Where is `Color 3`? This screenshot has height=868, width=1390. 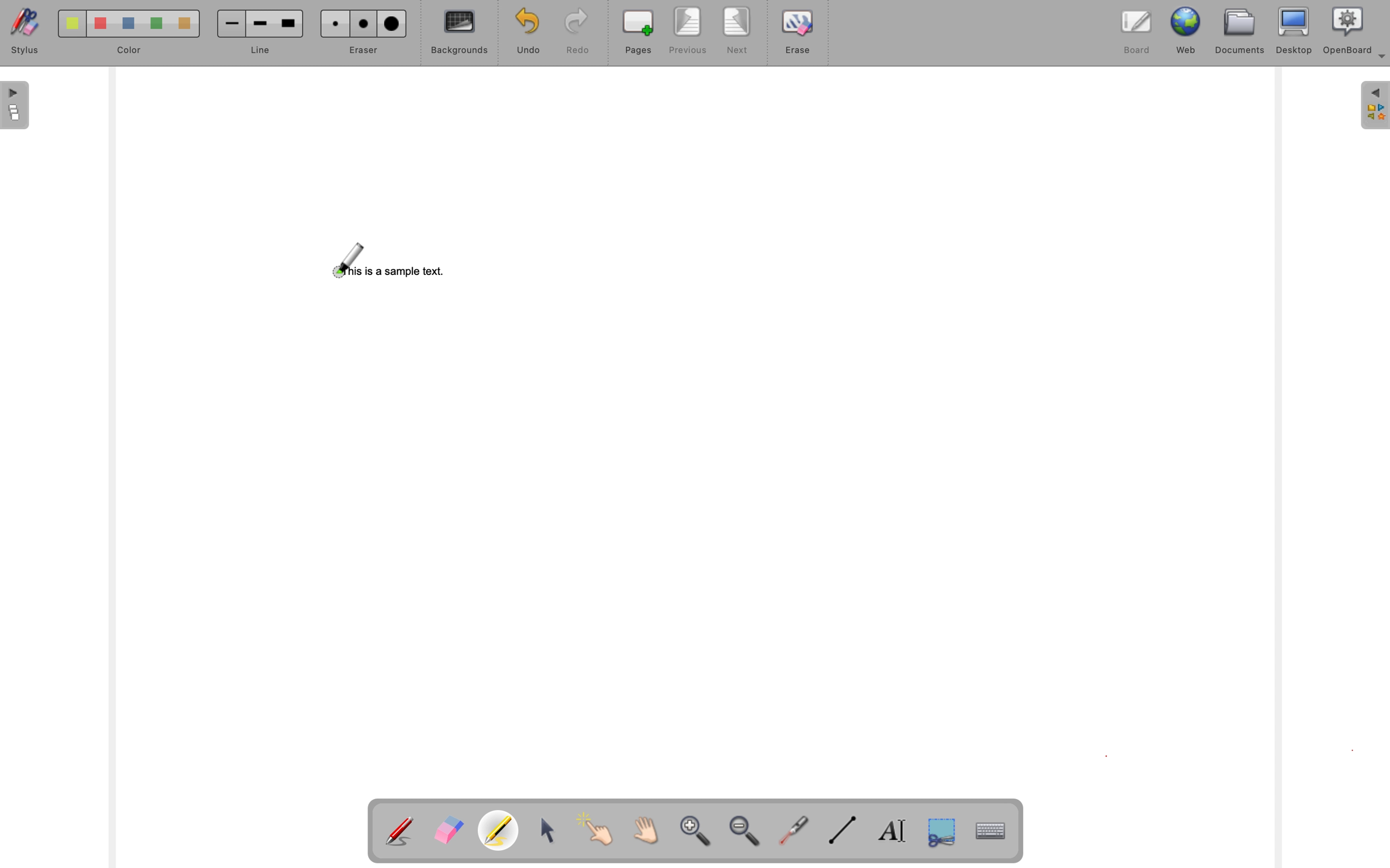 Color 3 is located at coordinates (129, 24).